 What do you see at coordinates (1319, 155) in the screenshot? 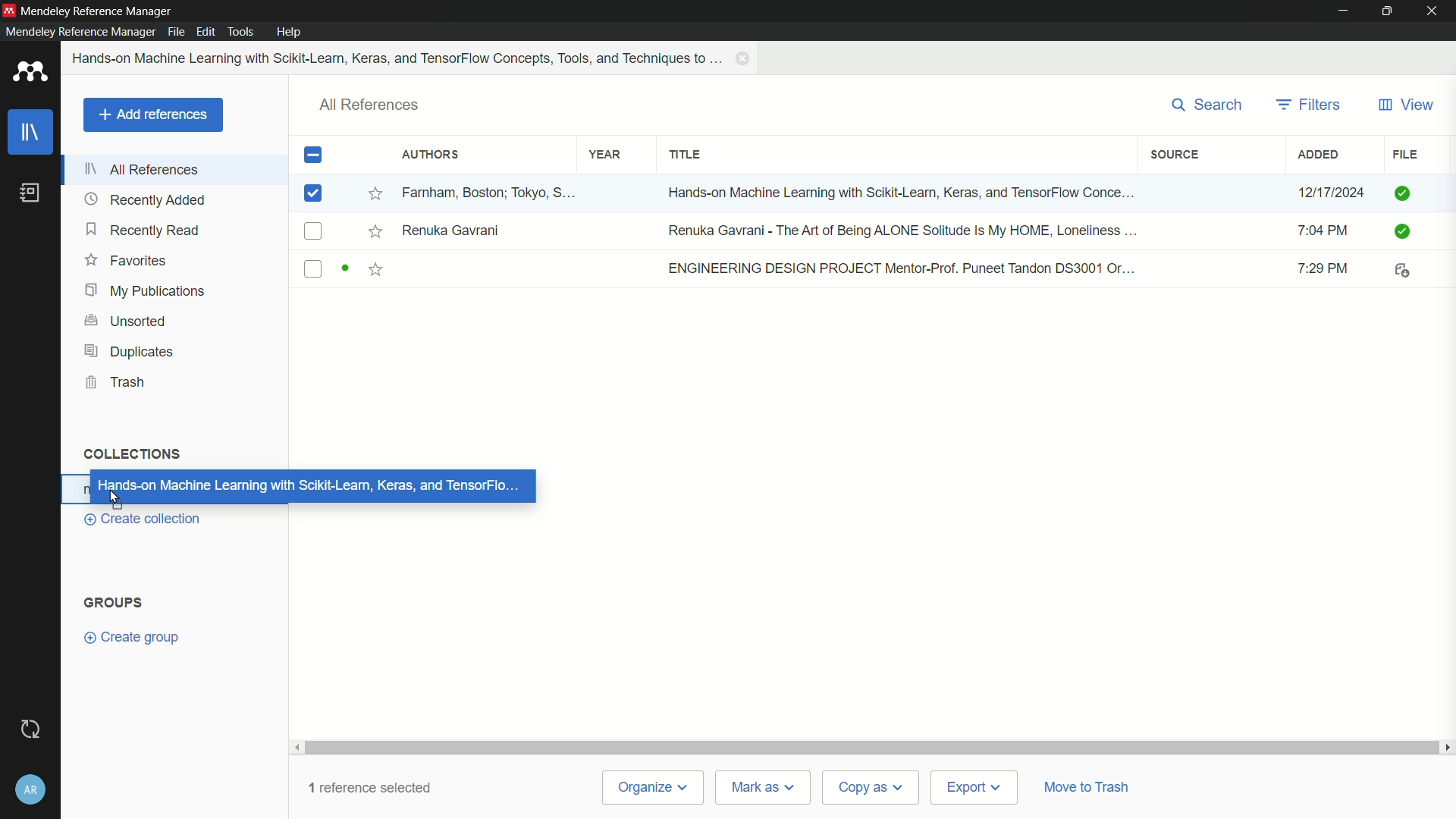
I see `added` at bounding box center [1319, 155].